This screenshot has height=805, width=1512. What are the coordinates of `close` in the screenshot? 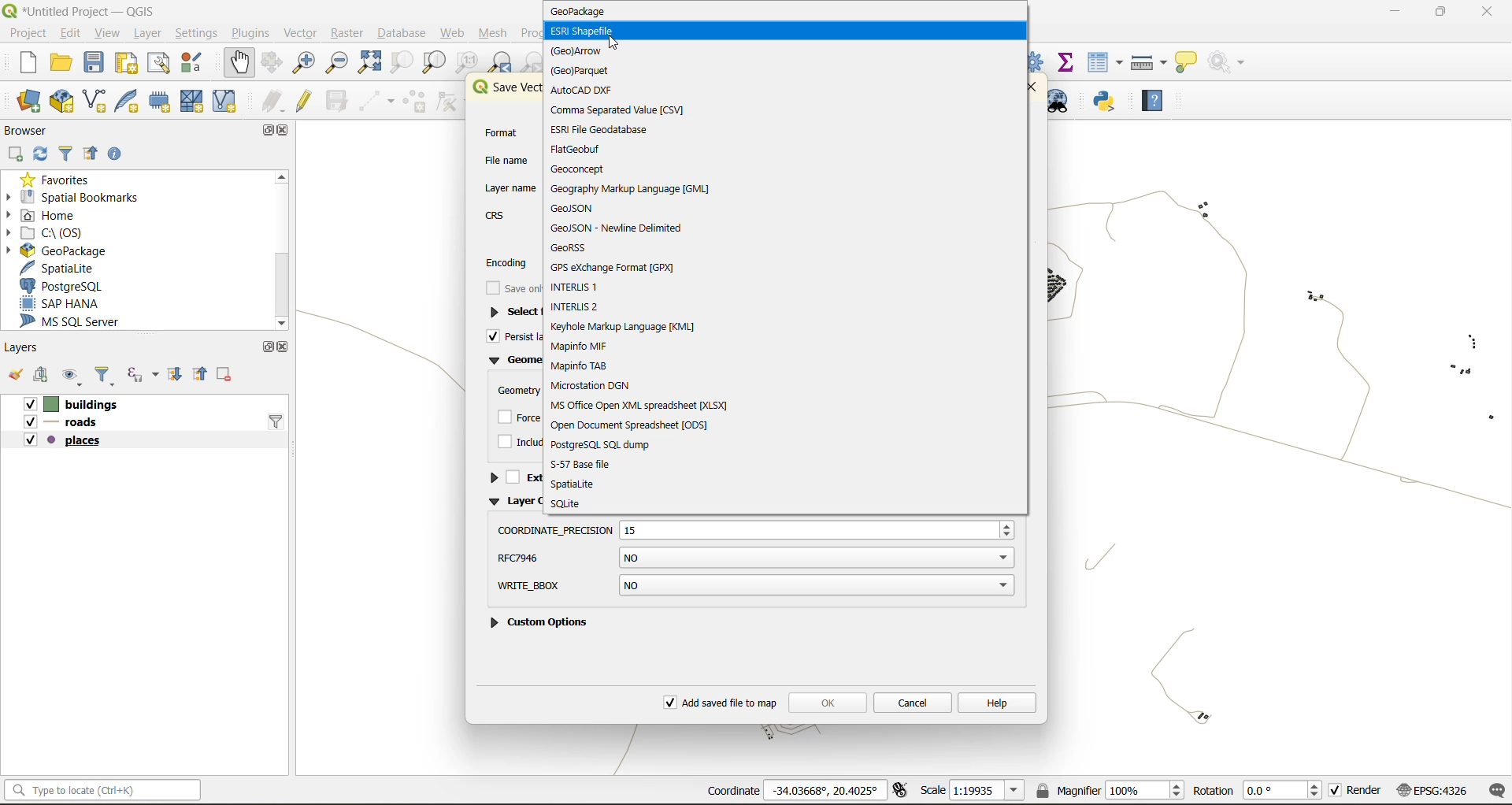 It's located at (283, 349).